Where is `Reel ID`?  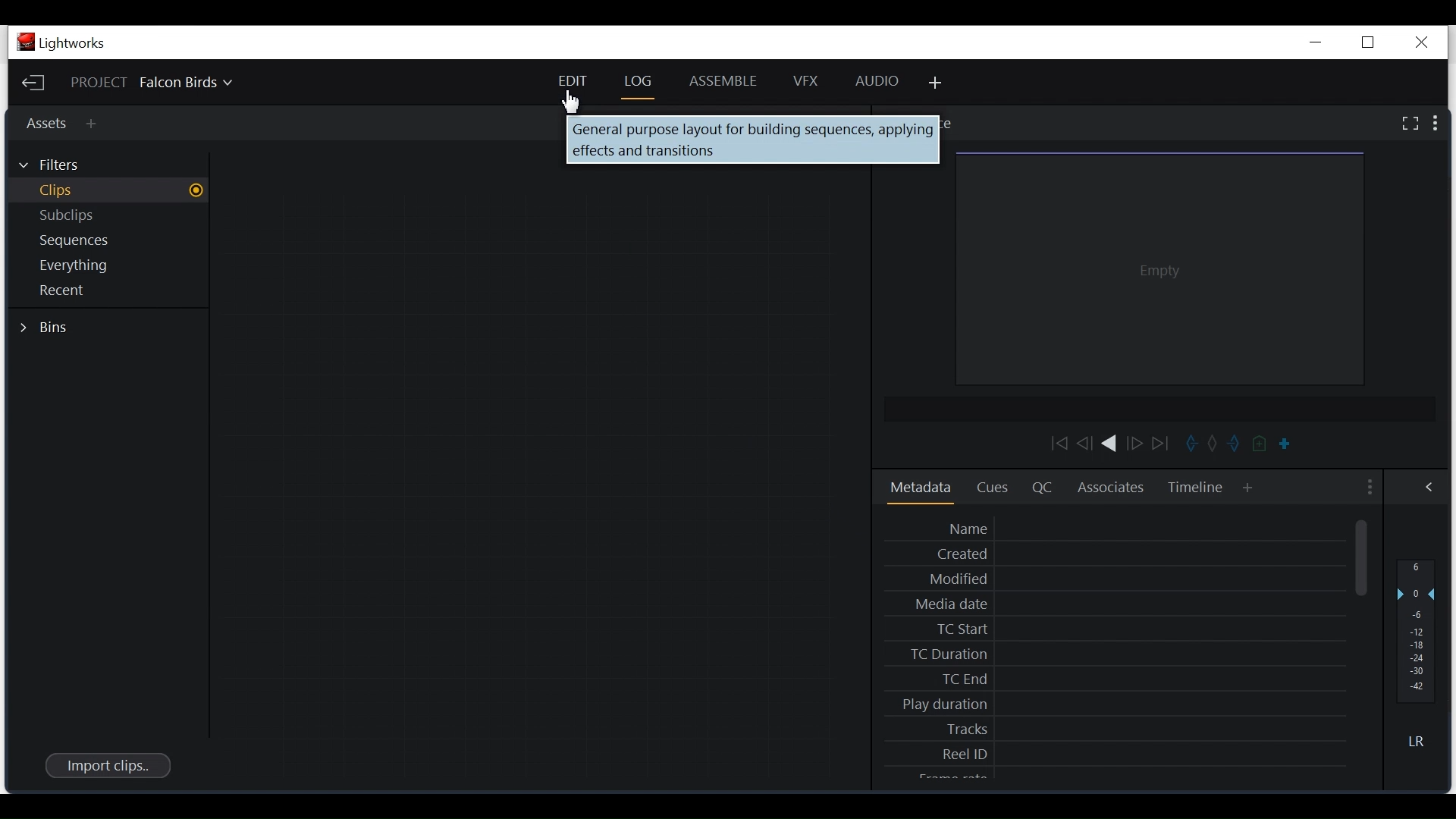
Reel ID is located at coordinates (1123, 754).